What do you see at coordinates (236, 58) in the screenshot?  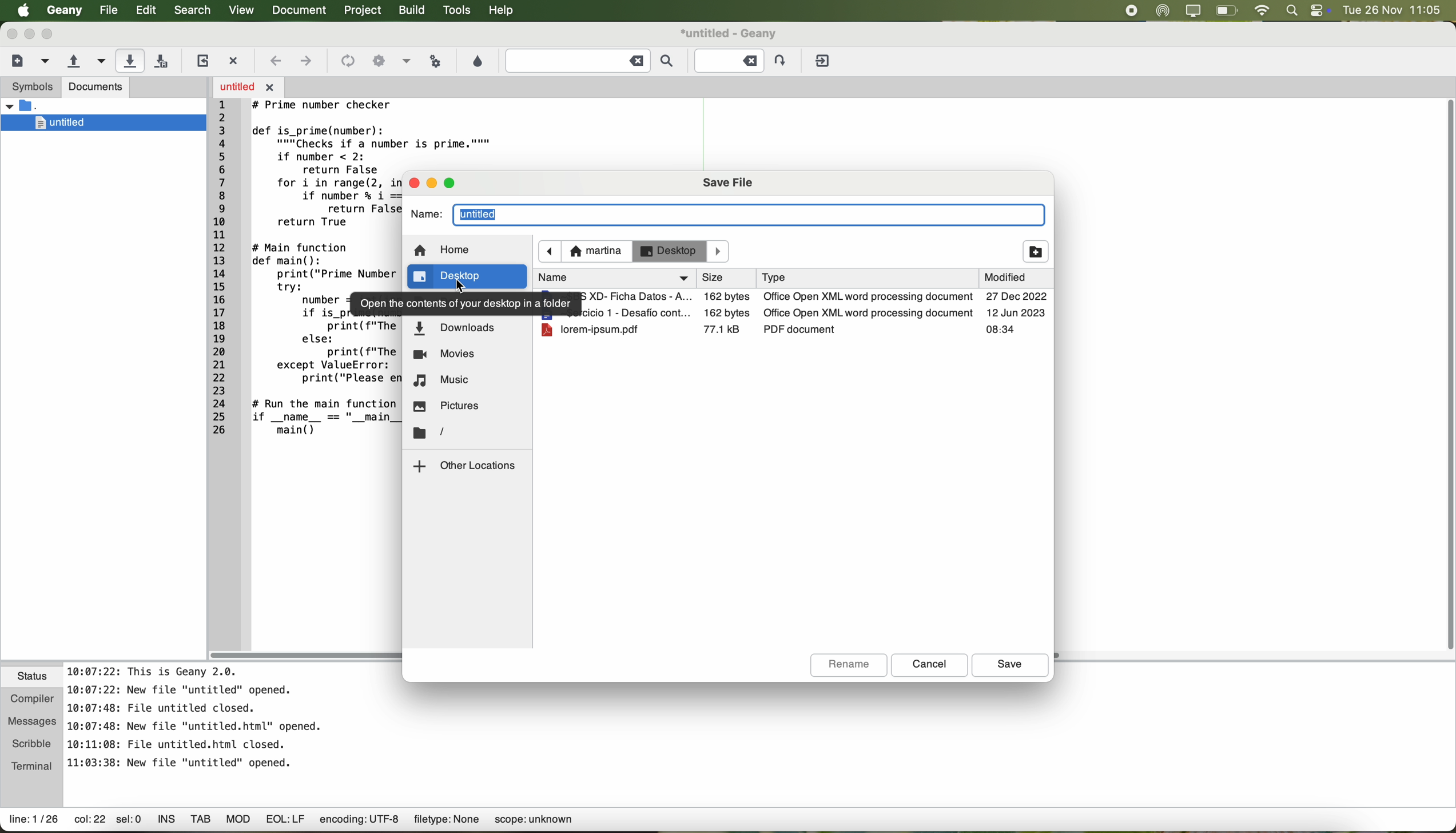 I see `close the current file` at bounding box center [236, 58].